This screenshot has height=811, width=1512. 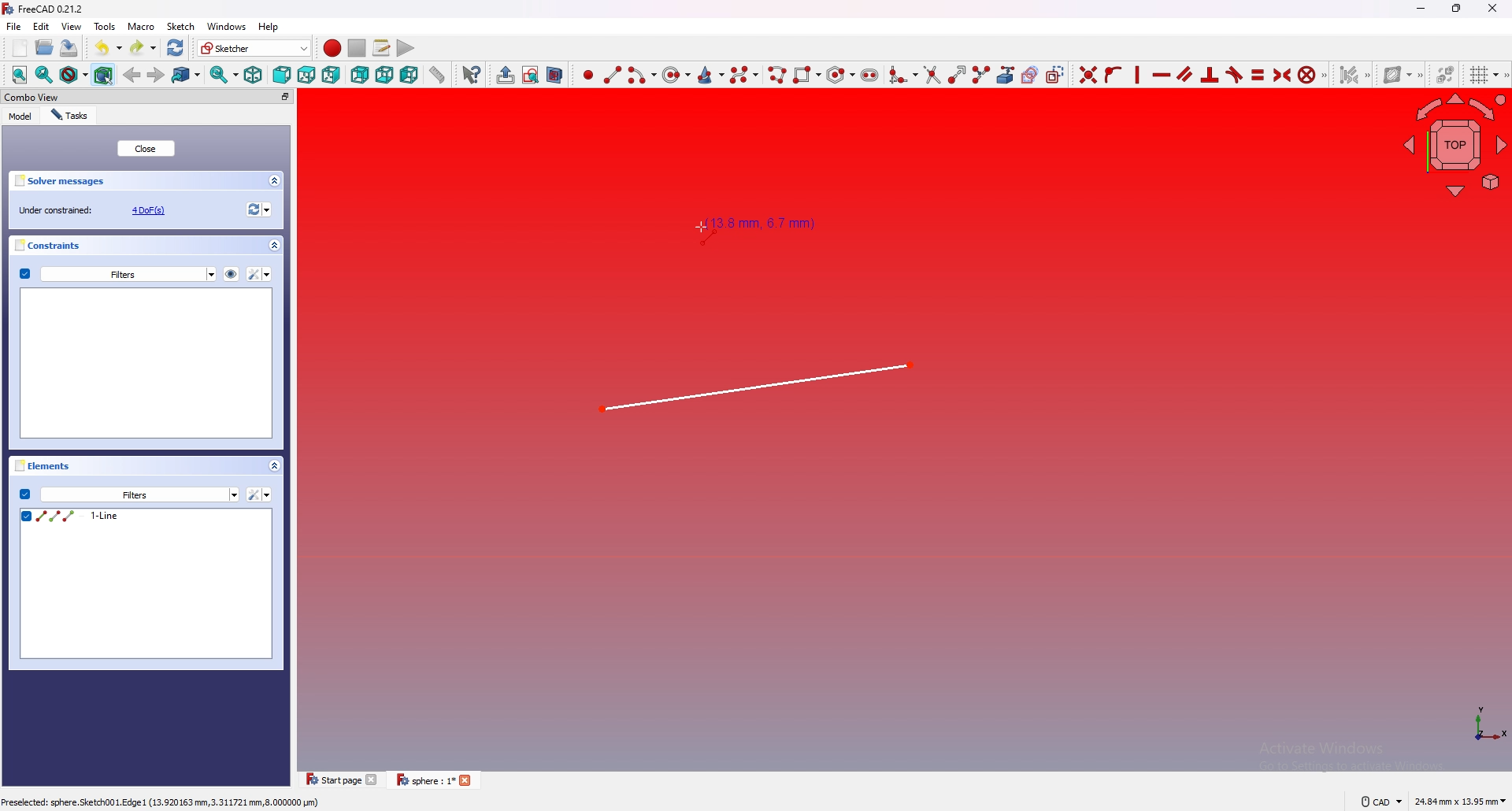 I want to click on Solver messages, so click(x=148, y=180).